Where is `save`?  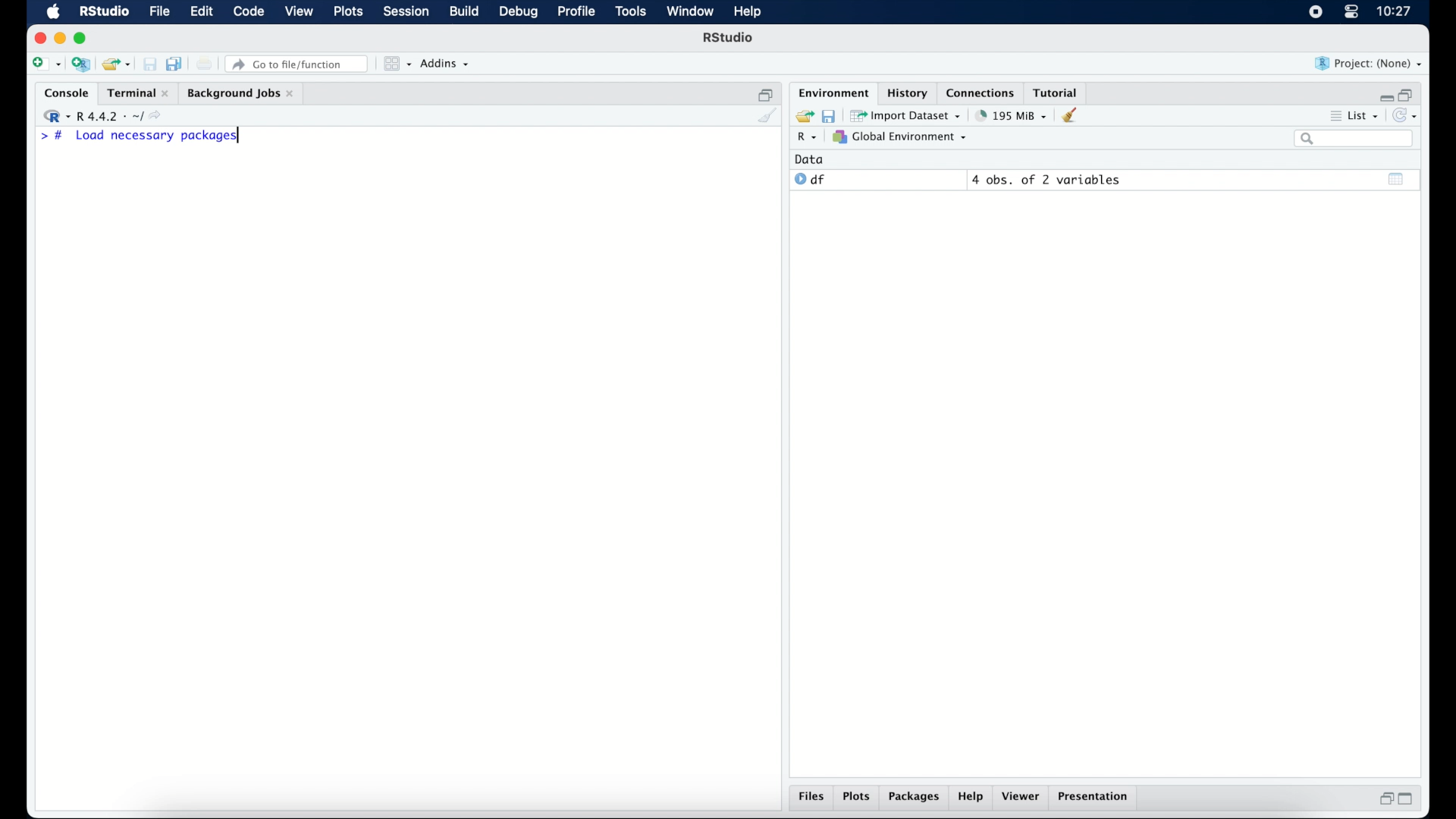
save is located at coordinates (149, 64).